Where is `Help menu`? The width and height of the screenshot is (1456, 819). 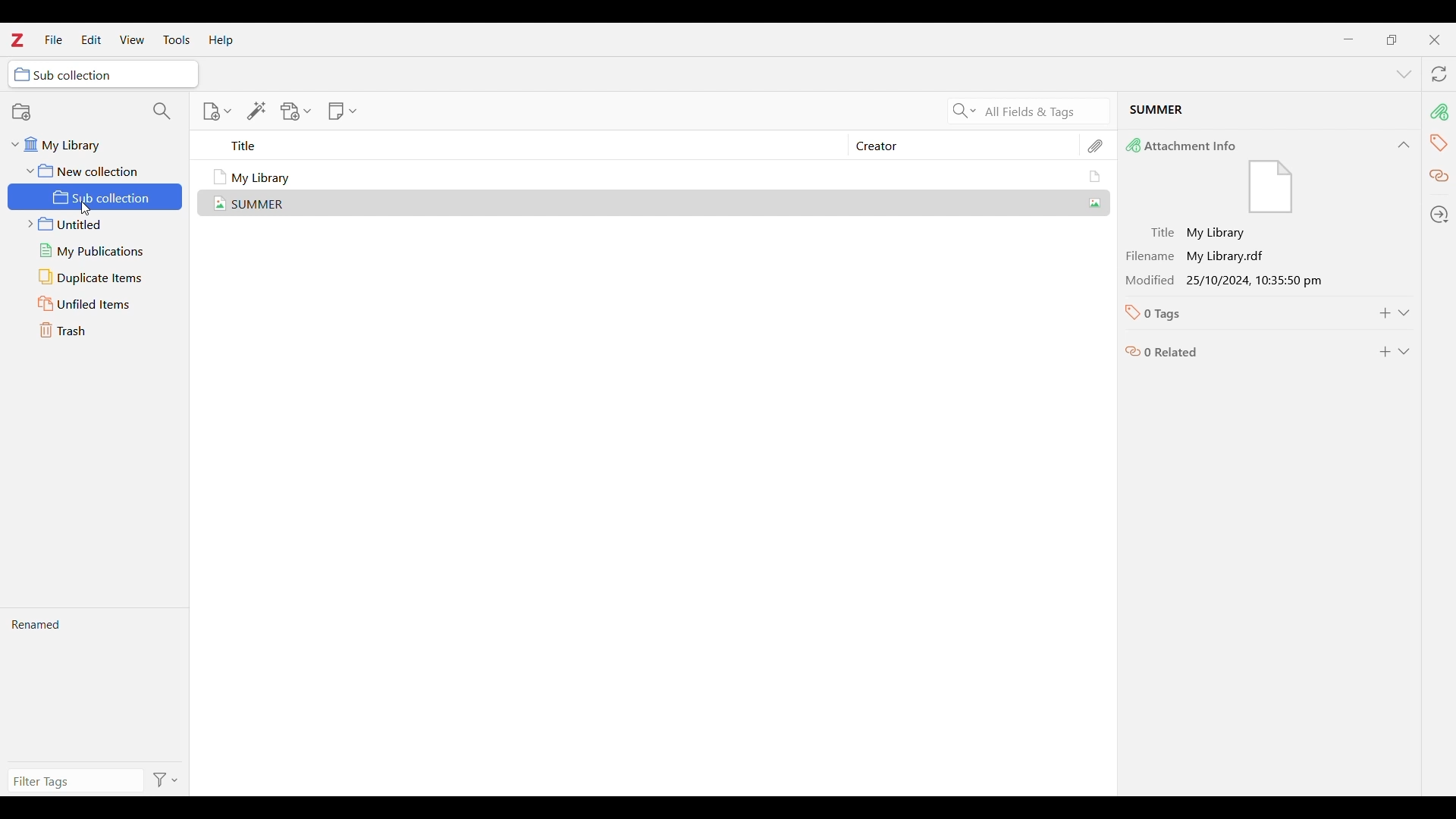 Help menu is located at coordinates (221, 40).